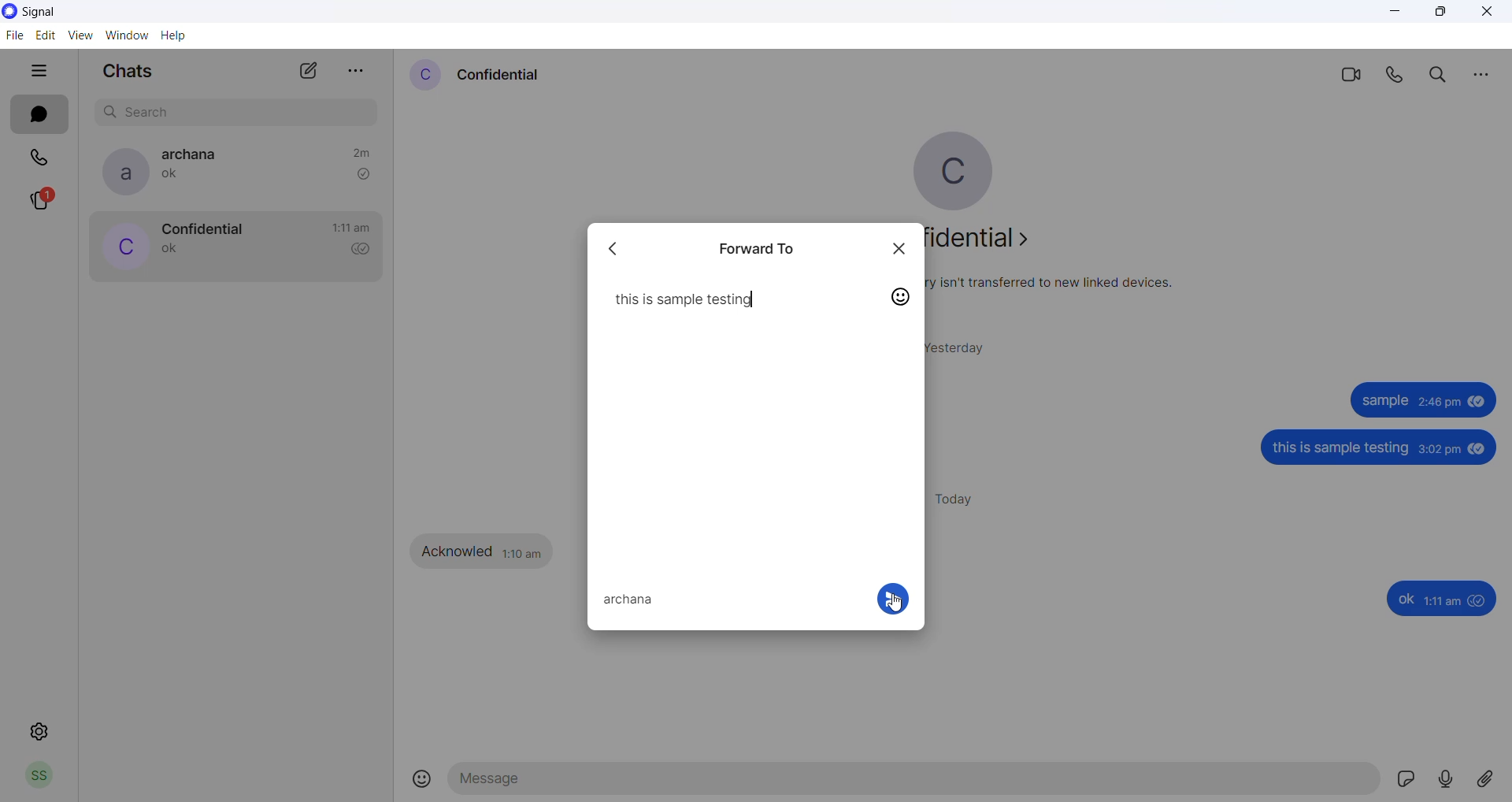 Image resolution: width=1512 pixels, height=802 pixels. What do you see at coordinates (632, 601) in the screenshot?
I see `selected contact` at bounding box center [632, 601].